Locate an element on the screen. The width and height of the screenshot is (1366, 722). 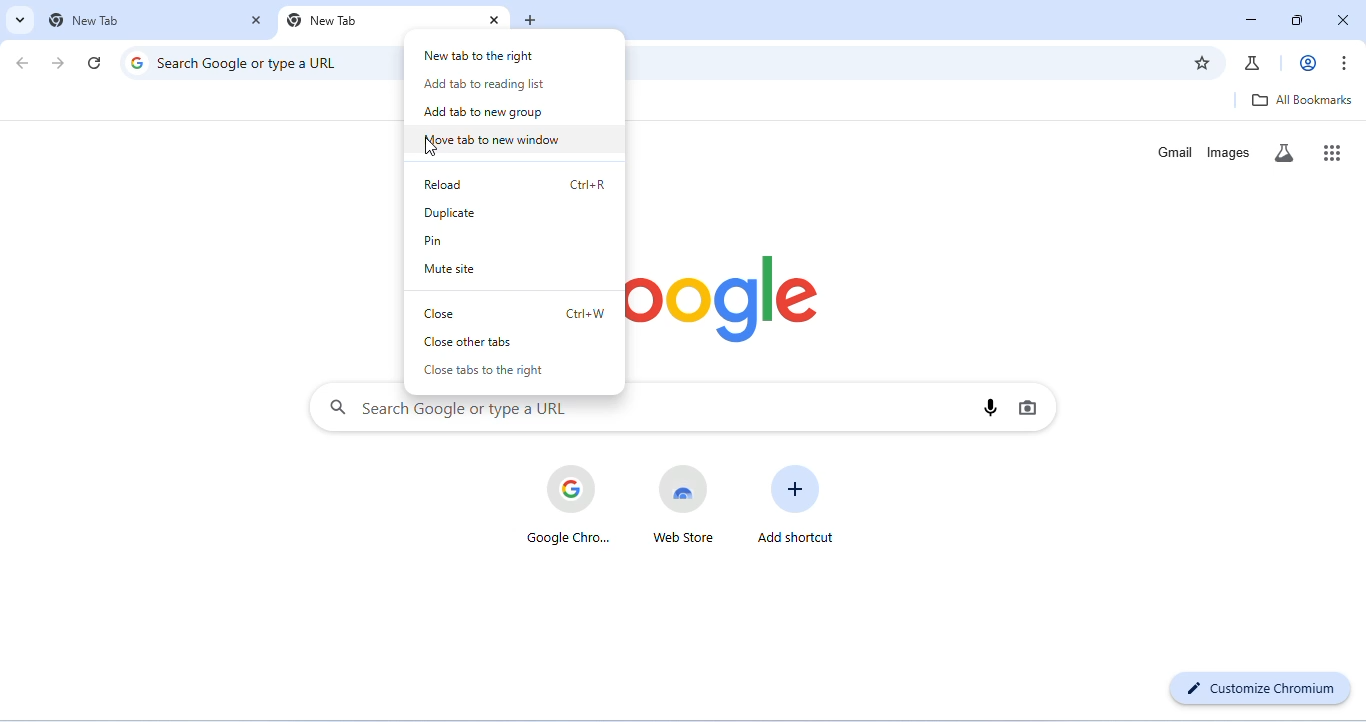
minimize is located at coordinates (1252, 20).